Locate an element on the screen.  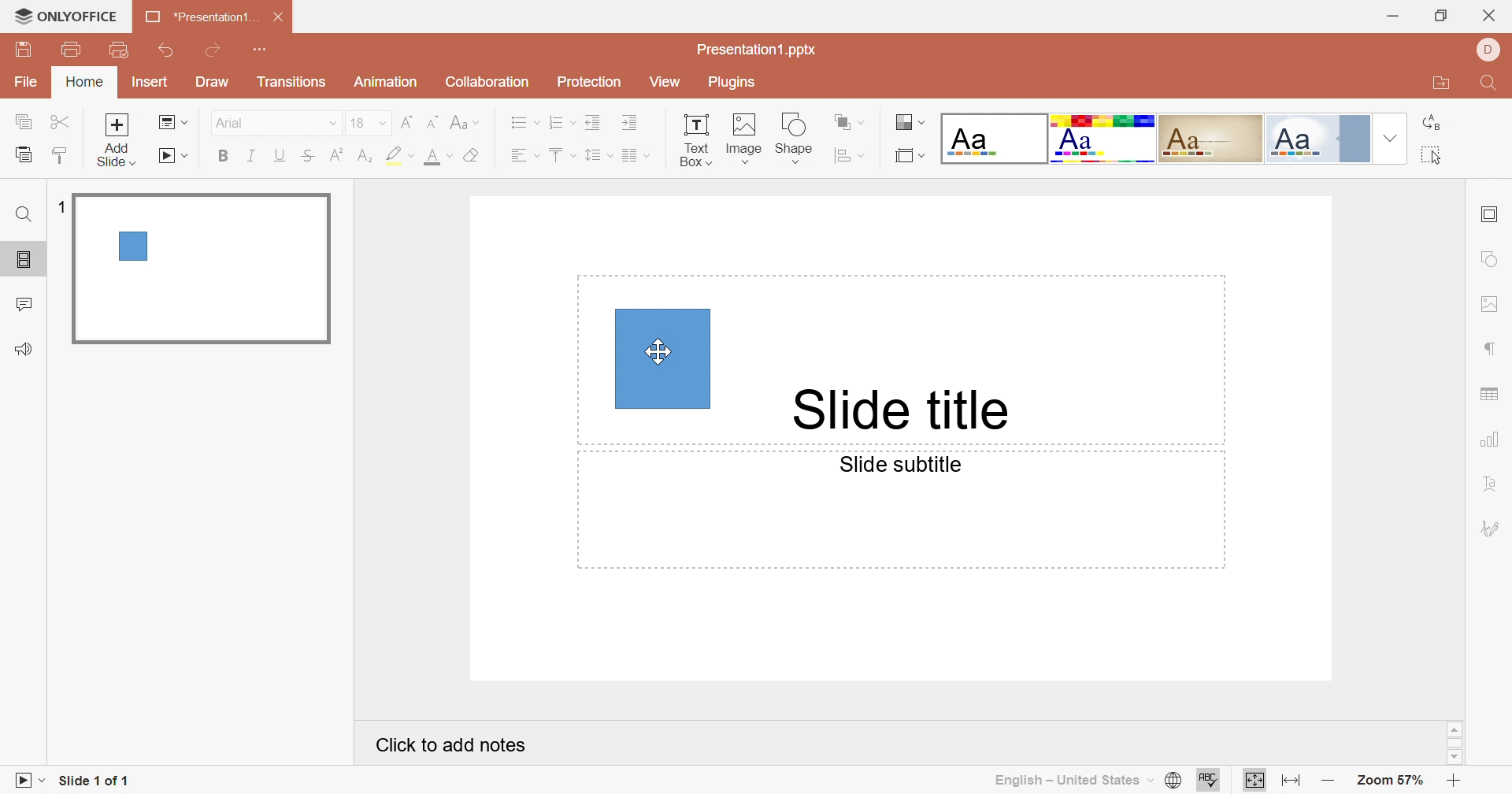
Font is located at coordinates (276, 121).